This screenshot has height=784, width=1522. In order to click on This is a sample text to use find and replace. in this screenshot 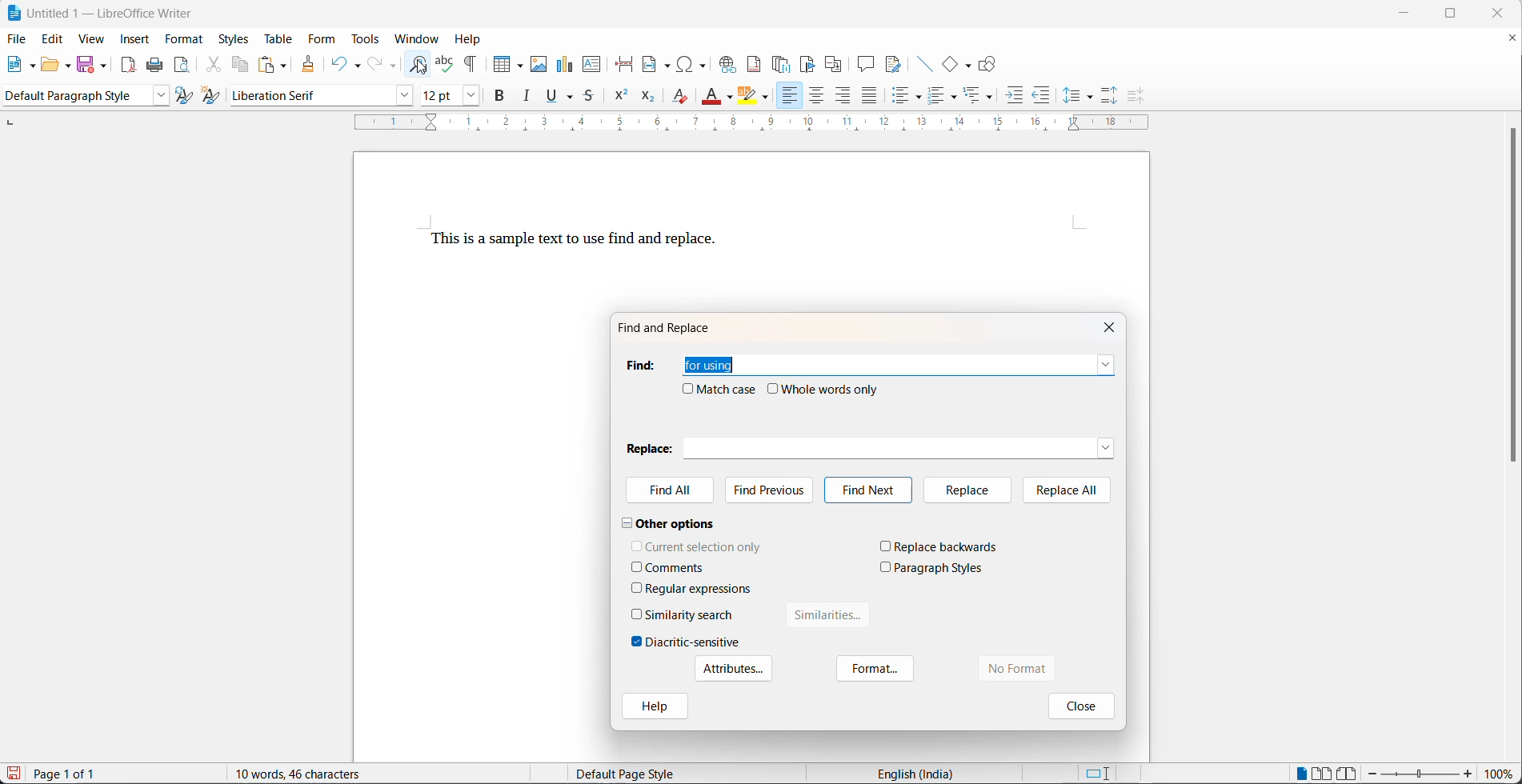, I will do `click(574, 241)`.